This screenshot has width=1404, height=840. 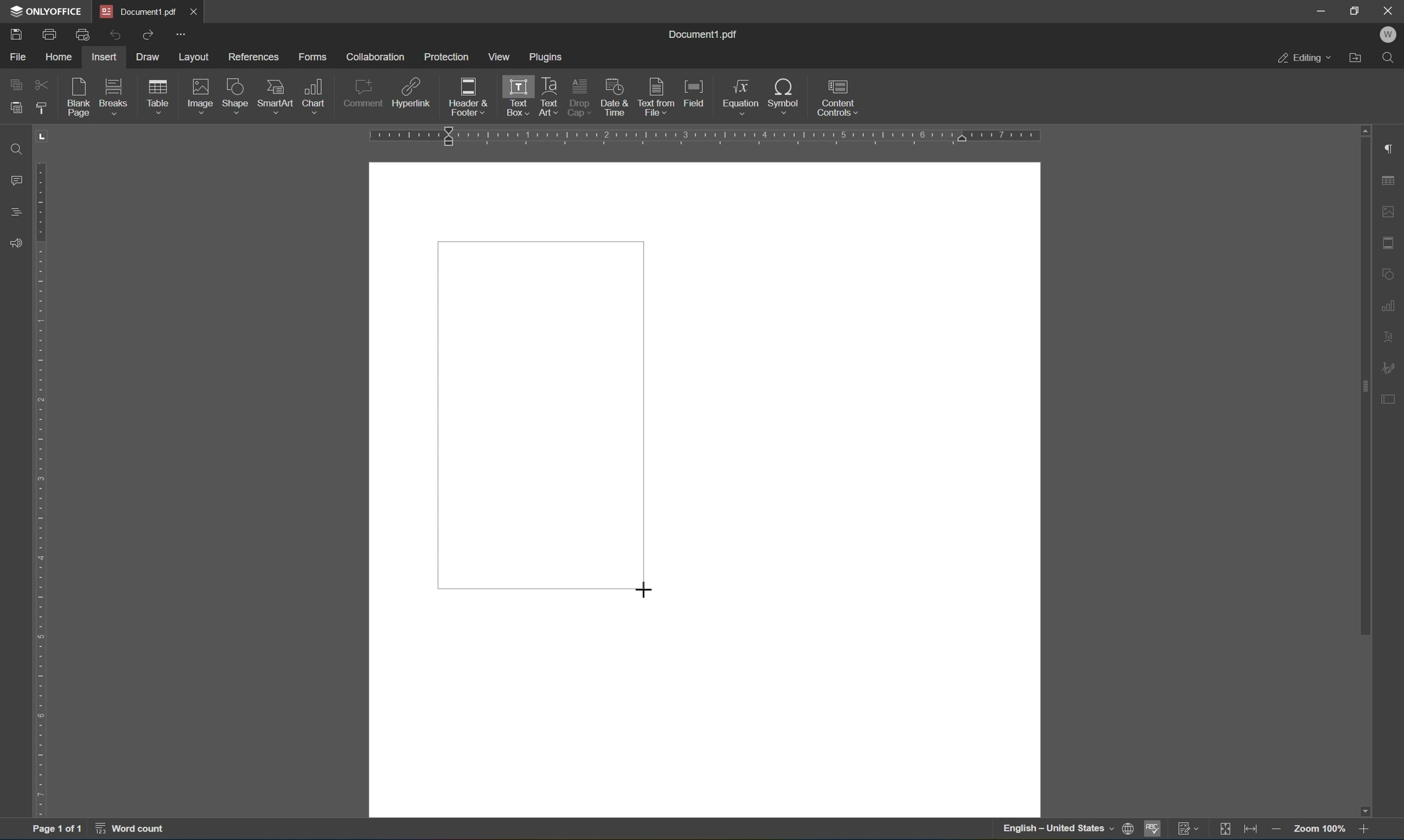 I want to click on Minimize, so click(x=1321, y=11).